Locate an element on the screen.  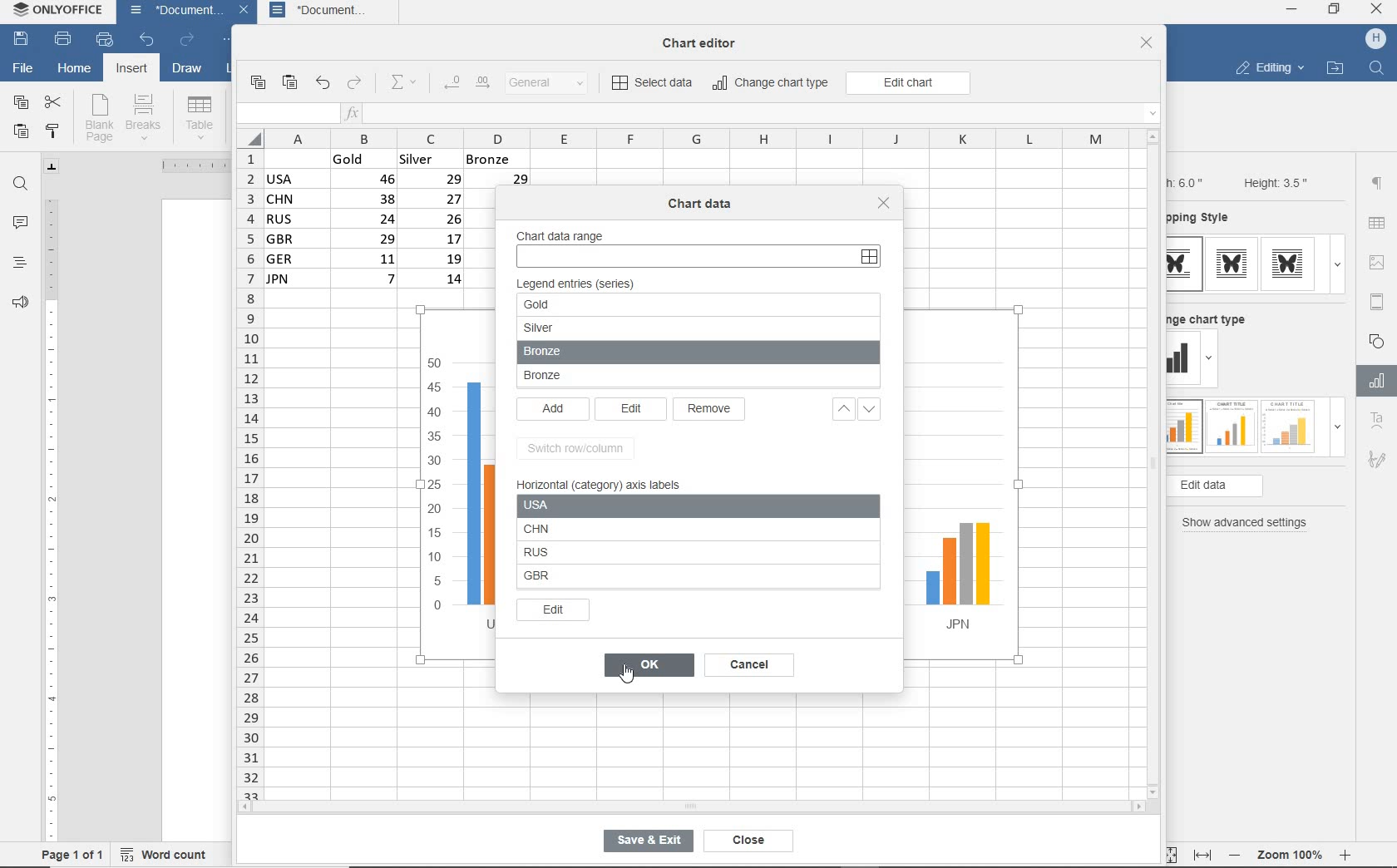
search is located at coordinates (1379, 67).